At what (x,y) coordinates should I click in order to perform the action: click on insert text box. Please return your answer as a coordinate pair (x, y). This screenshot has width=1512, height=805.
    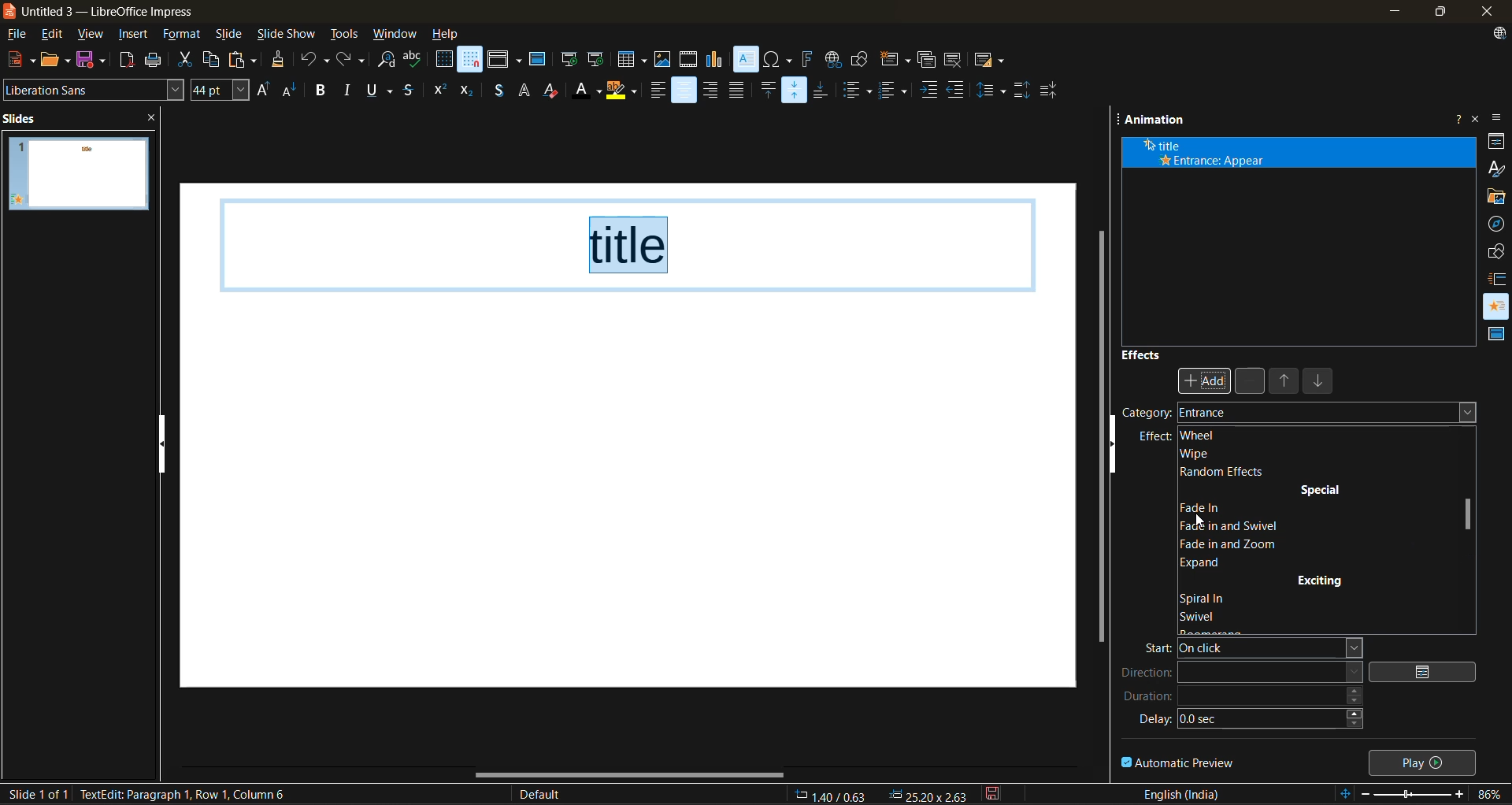
    Looking at the image, I should click on (744, 60).